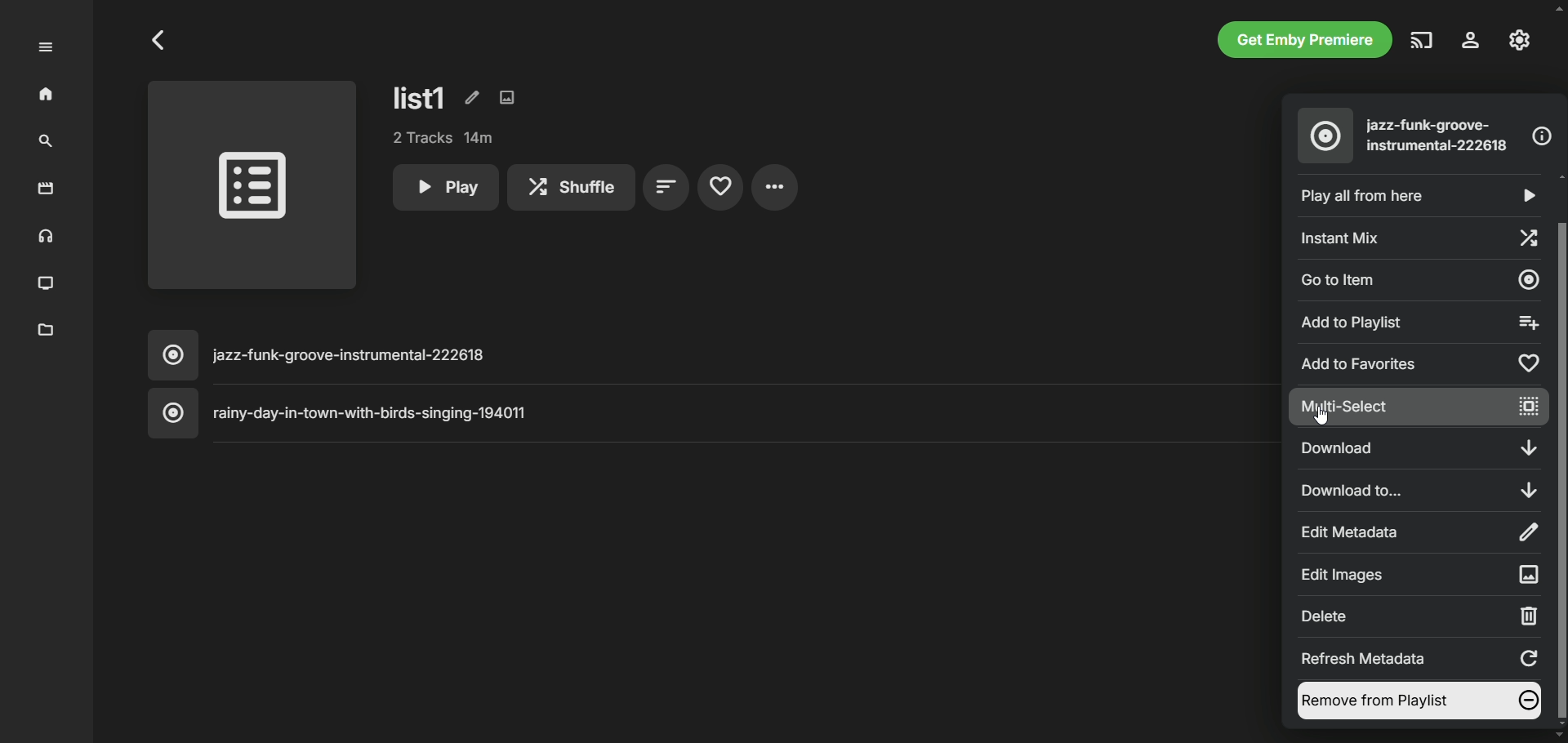 Image resolution: width=1568 pixels, height=743 pixels. Describe the element at coordinates (1419, 488) in the screenshot. I see `download to` at that location.